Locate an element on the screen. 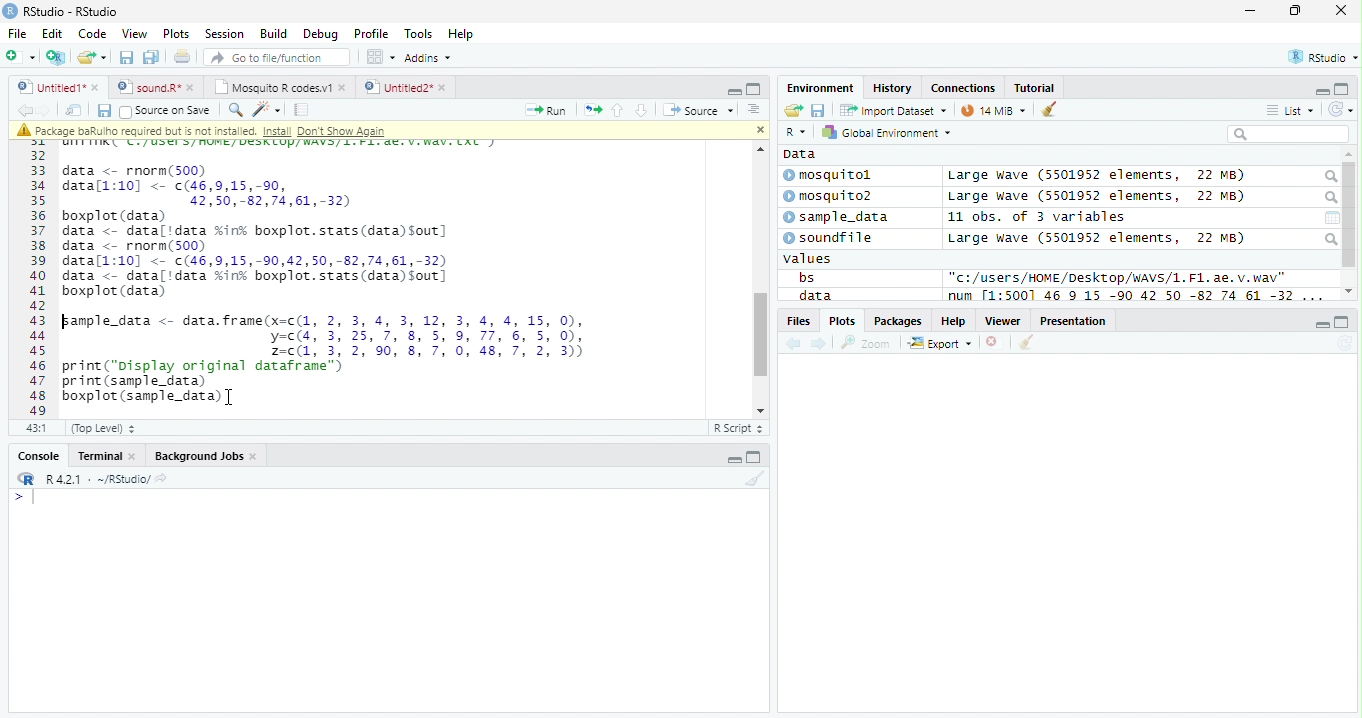 The image size is (1362, 718). List is located at coordinates (1290, 110).